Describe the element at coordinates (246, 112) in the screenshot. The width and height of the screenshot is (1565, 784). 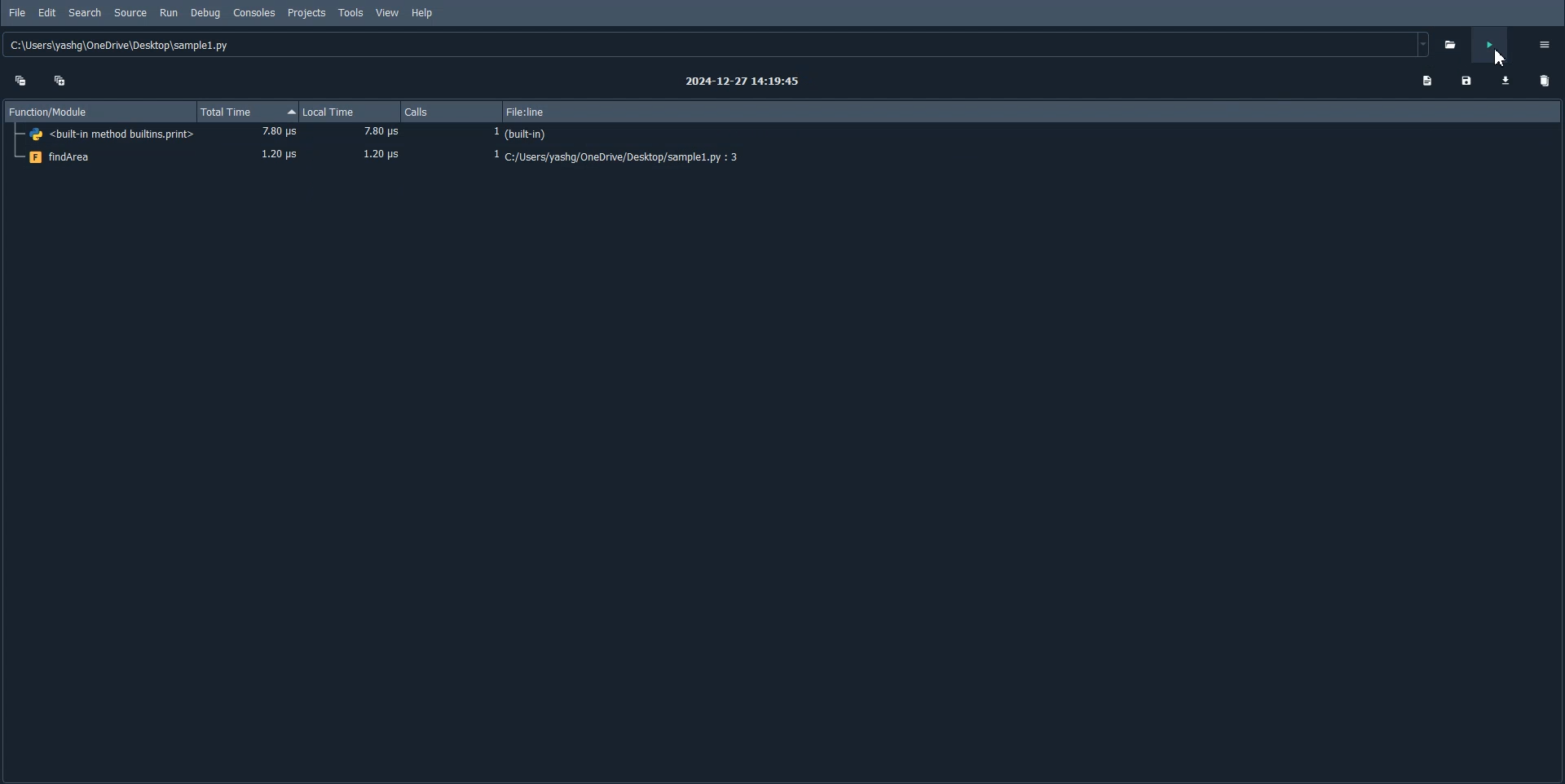
I see `Total Time` at that location.